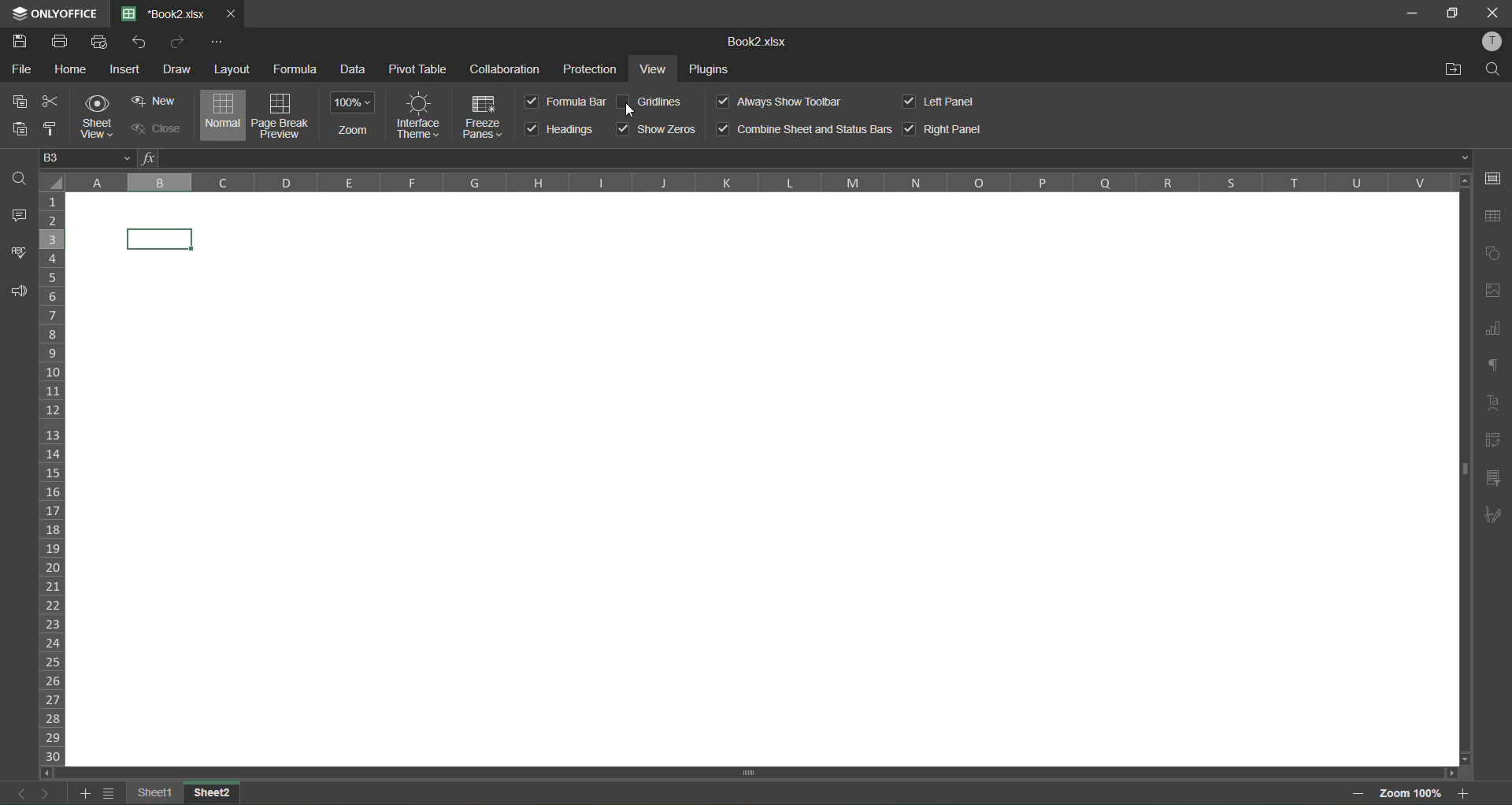 Image resolution: width=1512 pixels, height=805 pixels. What do you see at coordinates (1409, 12) in the screenshot?
I see `minimize` at bounding box center [1409, 12].